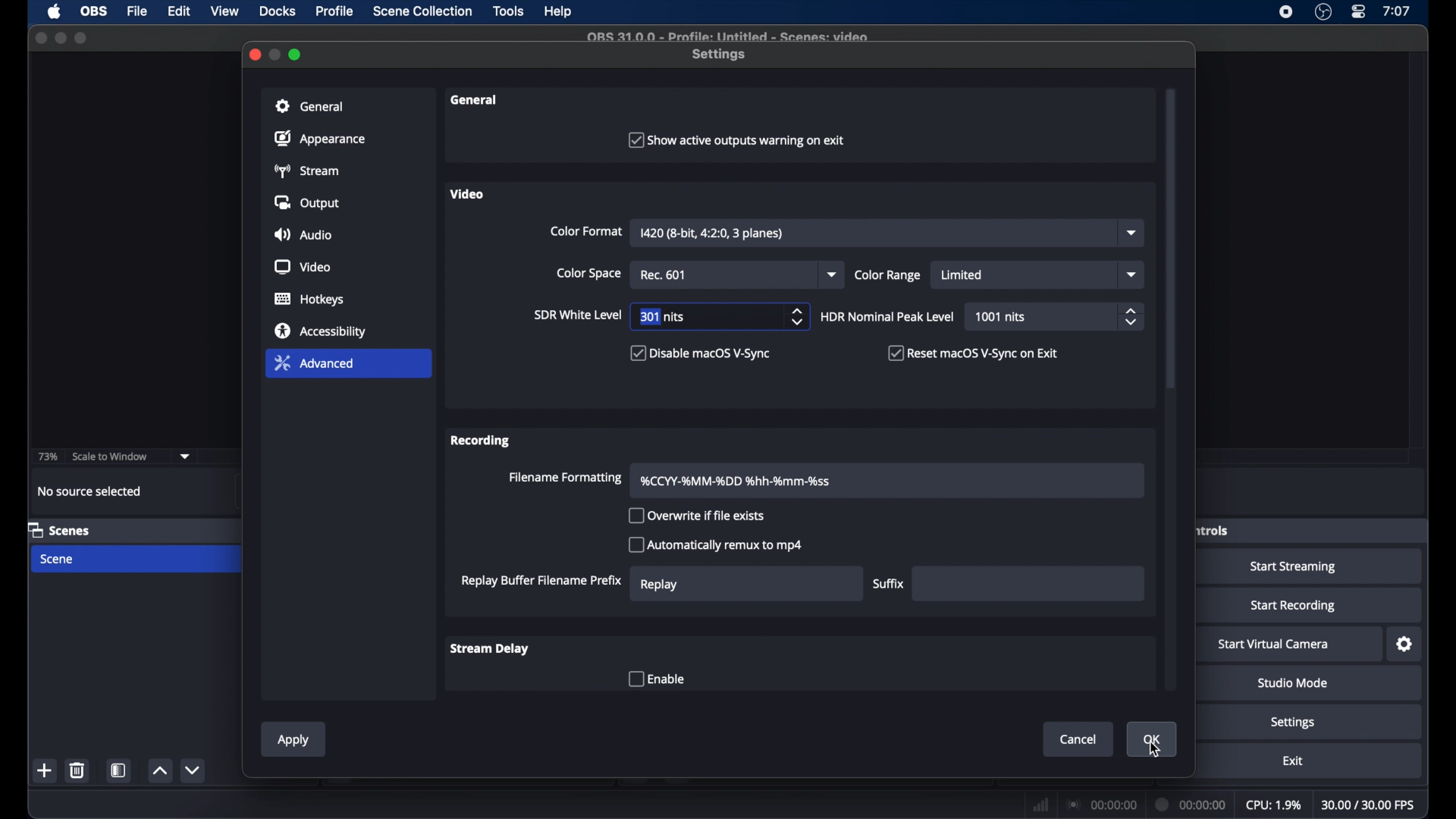  I want to click on rec 602, so click(663, 275).